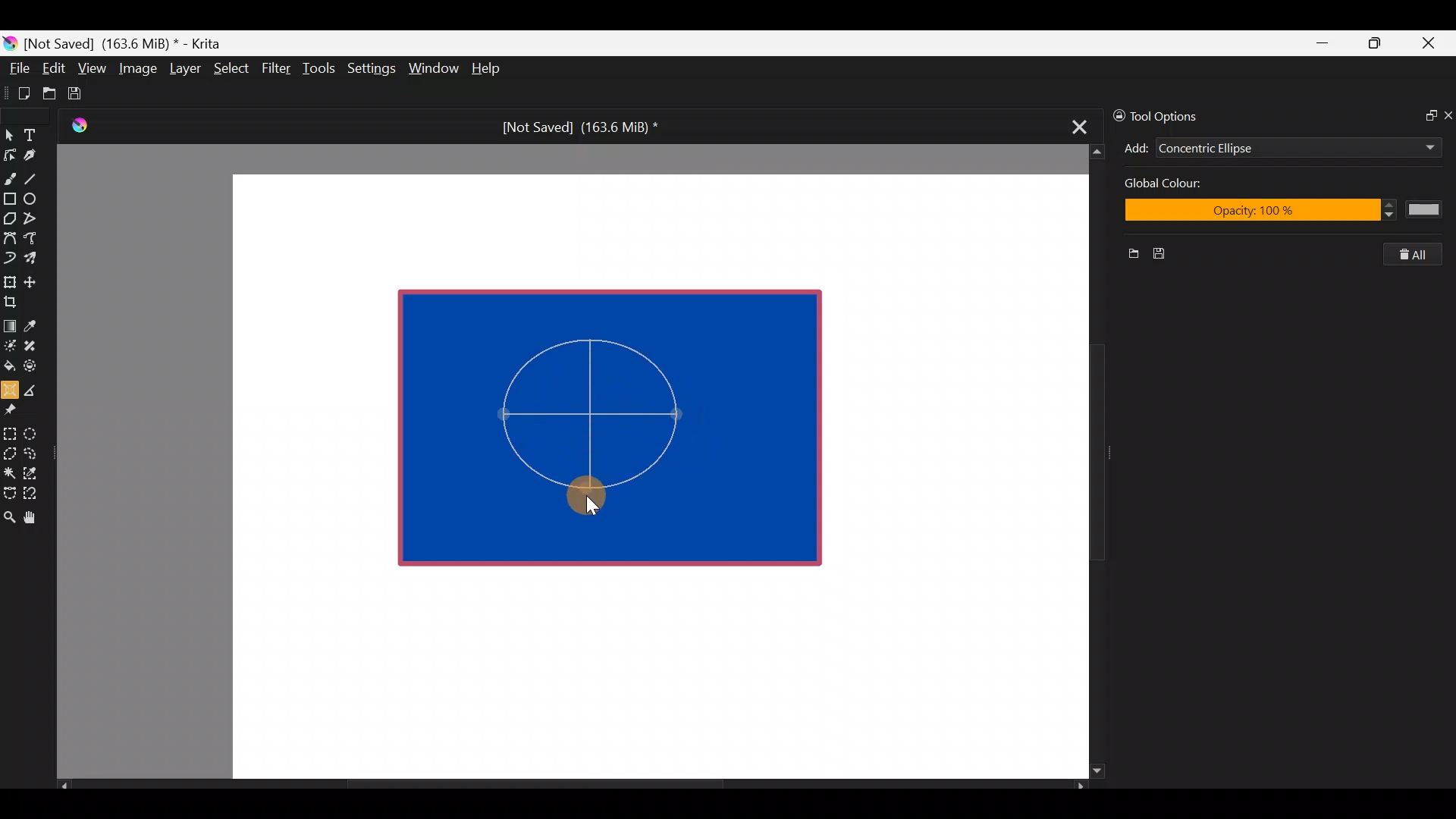  Describe the element at coordinates (130, 42) in the screenshot. I see `[Not Saved] (163.6 MiB) * - Krita` at that location.